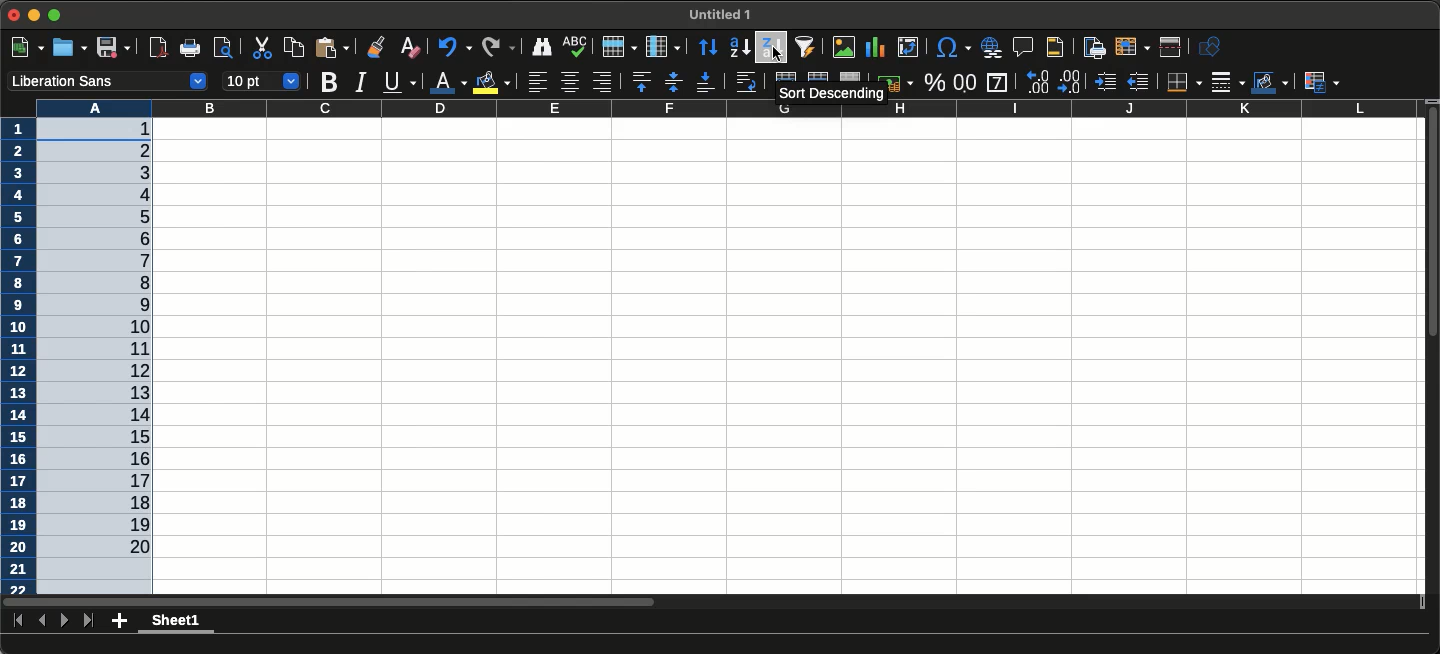 This screenshot has width=1440, height=654. I want to click on Insert hyperlink, so click(988, 48).